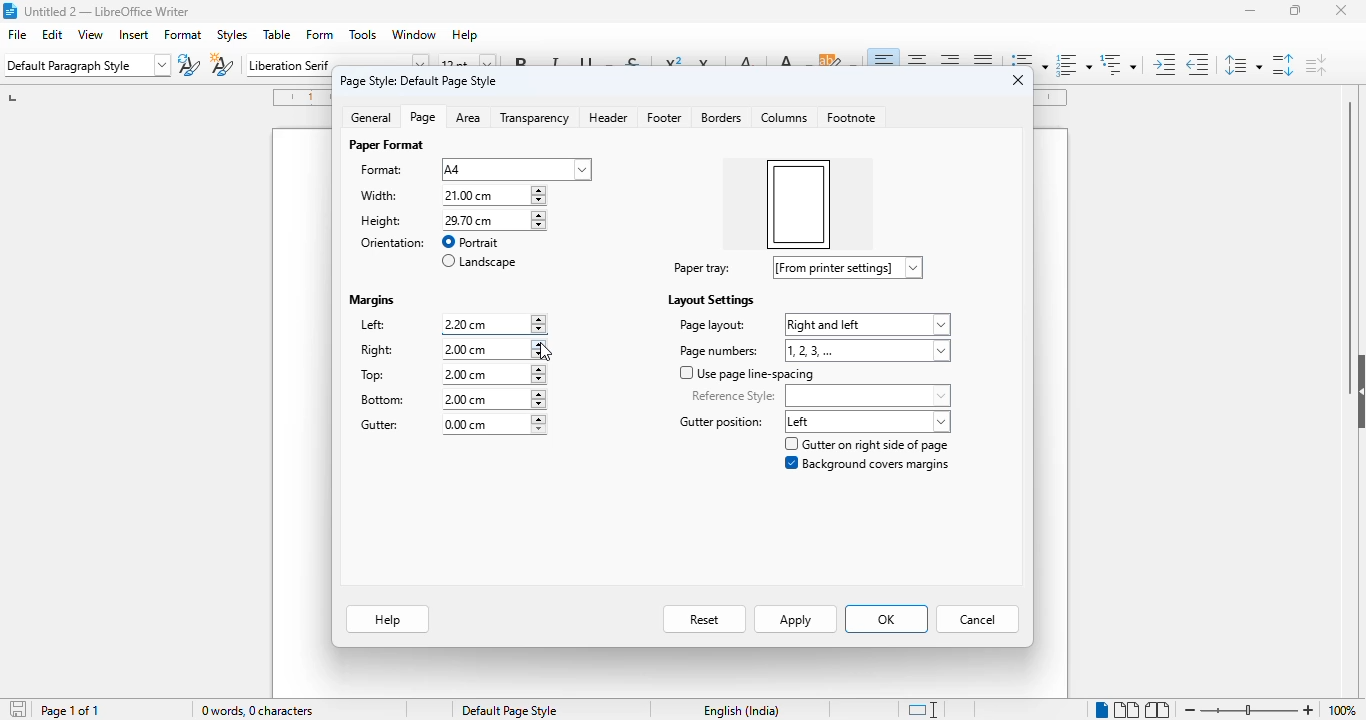 The width and height of the screenshot is (1366, 720). Describe the element at coordinates (869, 323) in the screenshot. I see `page layout options` at that location.